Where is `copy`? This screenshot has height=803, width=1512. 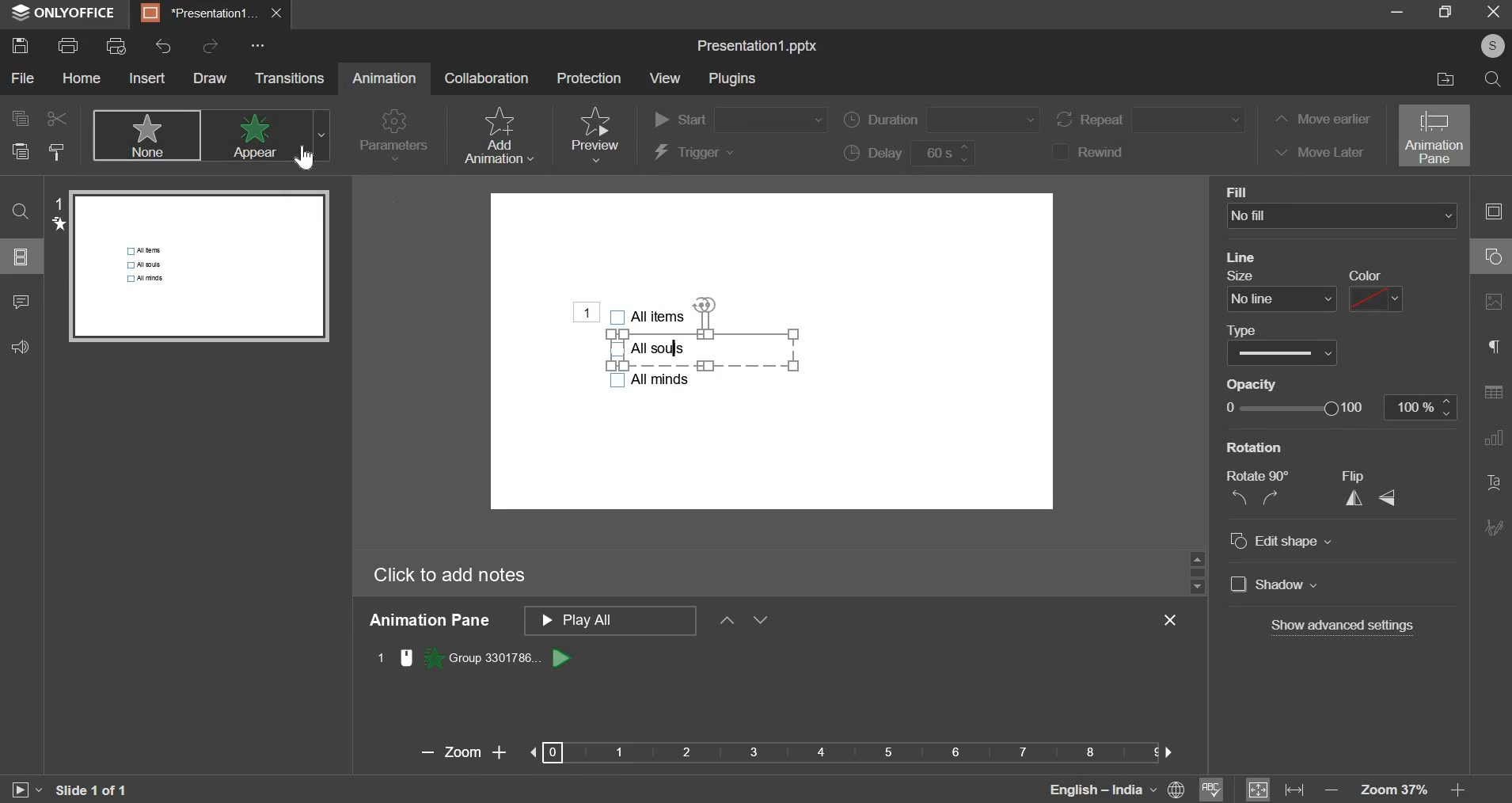
copy is located at coordinates (18, 117).